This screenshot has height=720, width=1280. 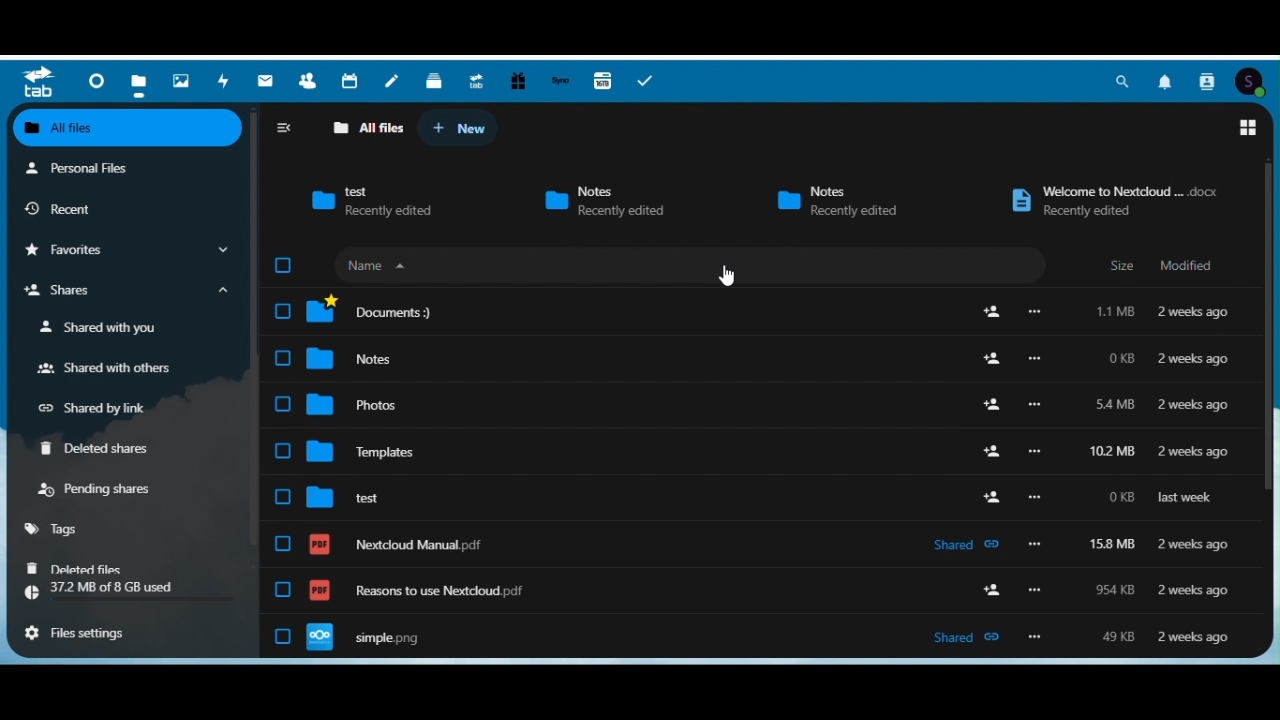 I want to click on Files, so click(x=142, y=80).